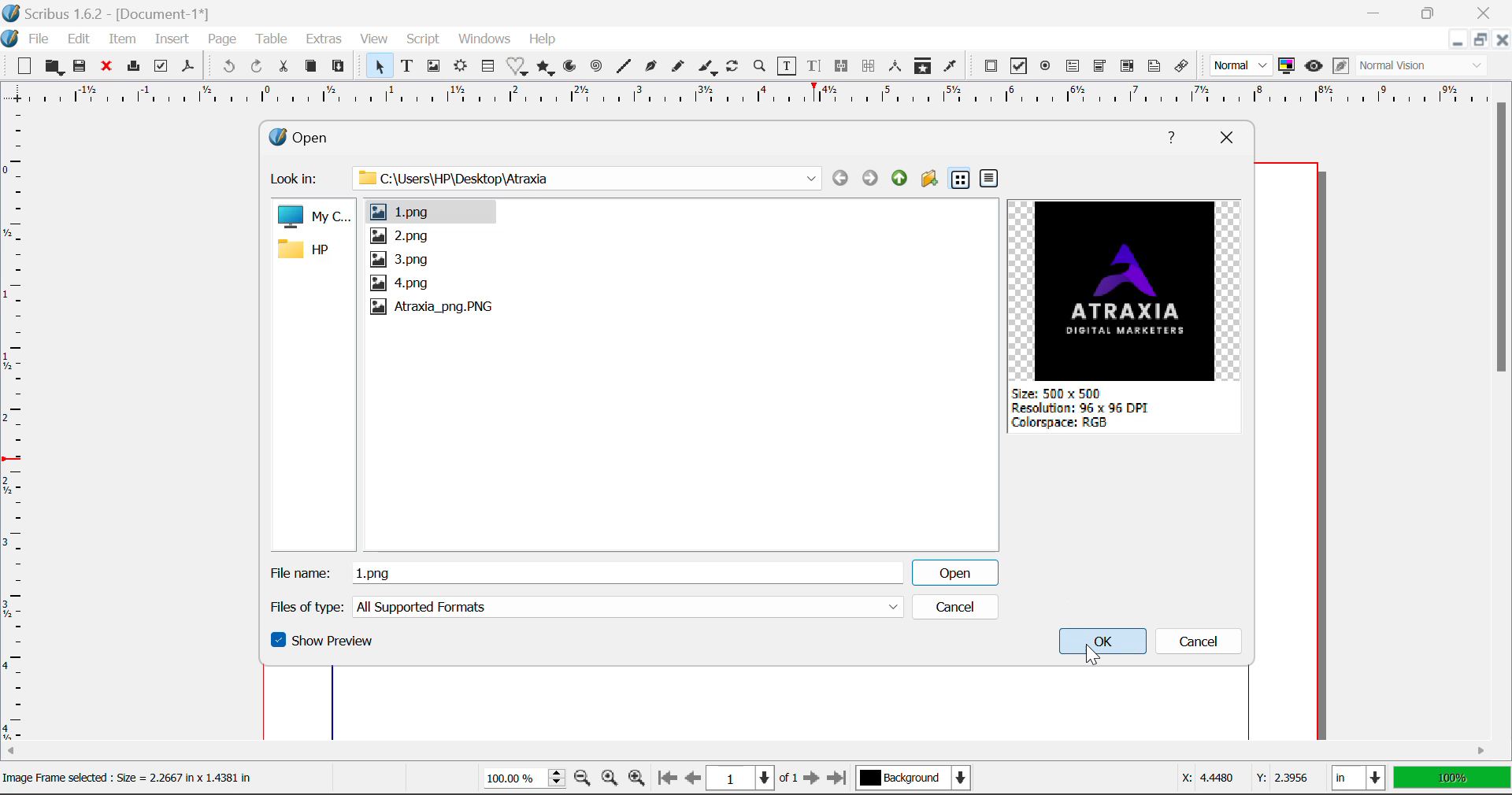  Describe the element at coordinates (422, 41) in the screenshot. I see `Script` at that location.